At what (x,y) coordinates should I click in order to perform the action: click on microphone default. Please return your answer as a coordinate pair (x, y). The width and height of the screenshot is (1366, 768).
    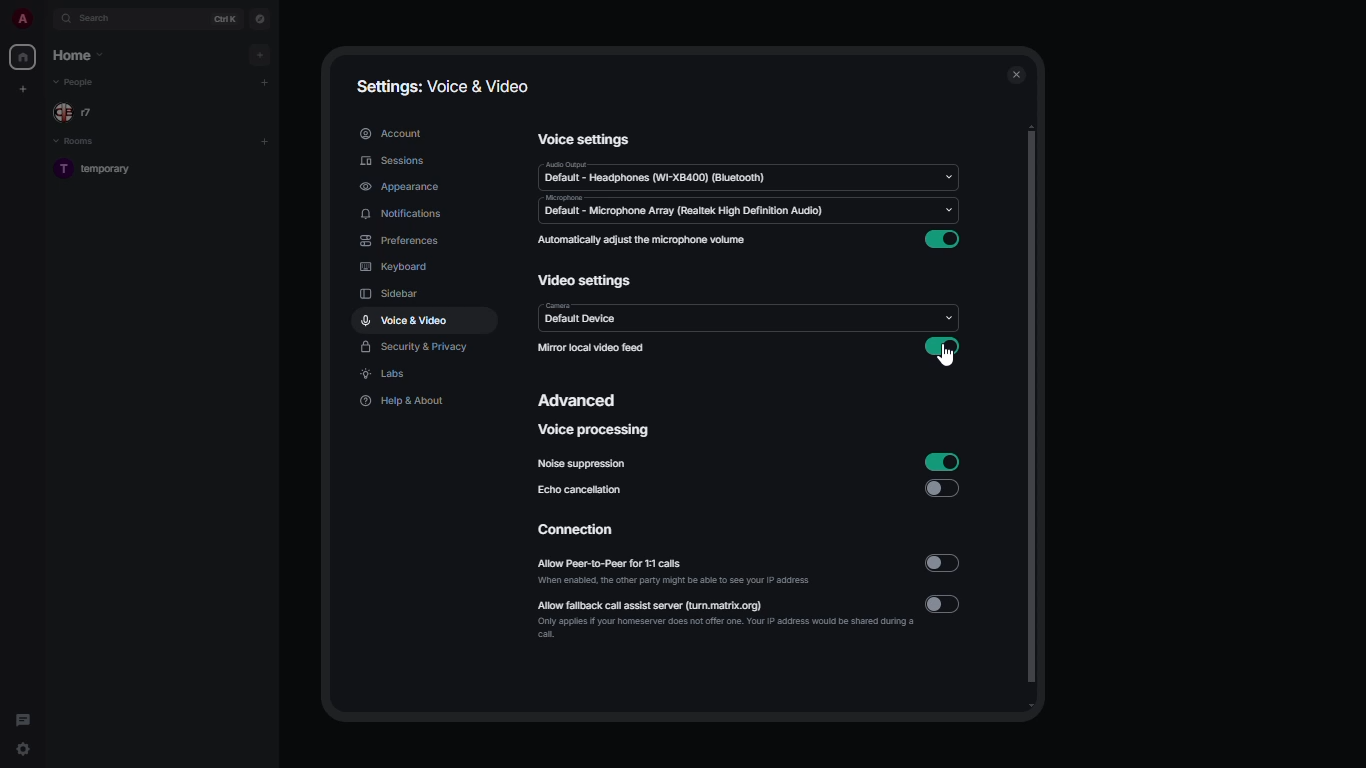
    Looking at the image, I should click on (684, 206).